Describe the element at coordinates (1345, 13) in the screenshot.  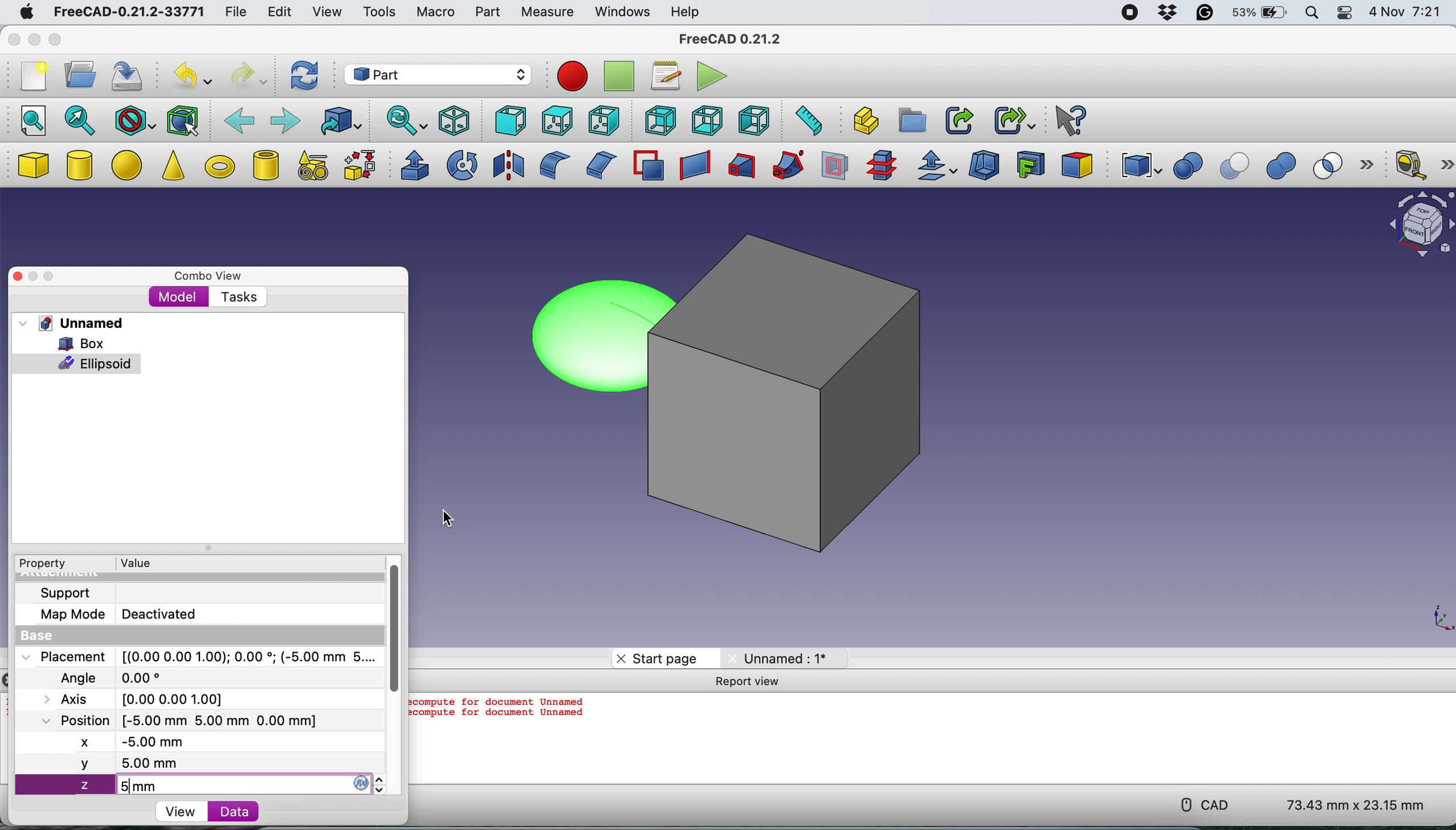
I see `control center` at that location.